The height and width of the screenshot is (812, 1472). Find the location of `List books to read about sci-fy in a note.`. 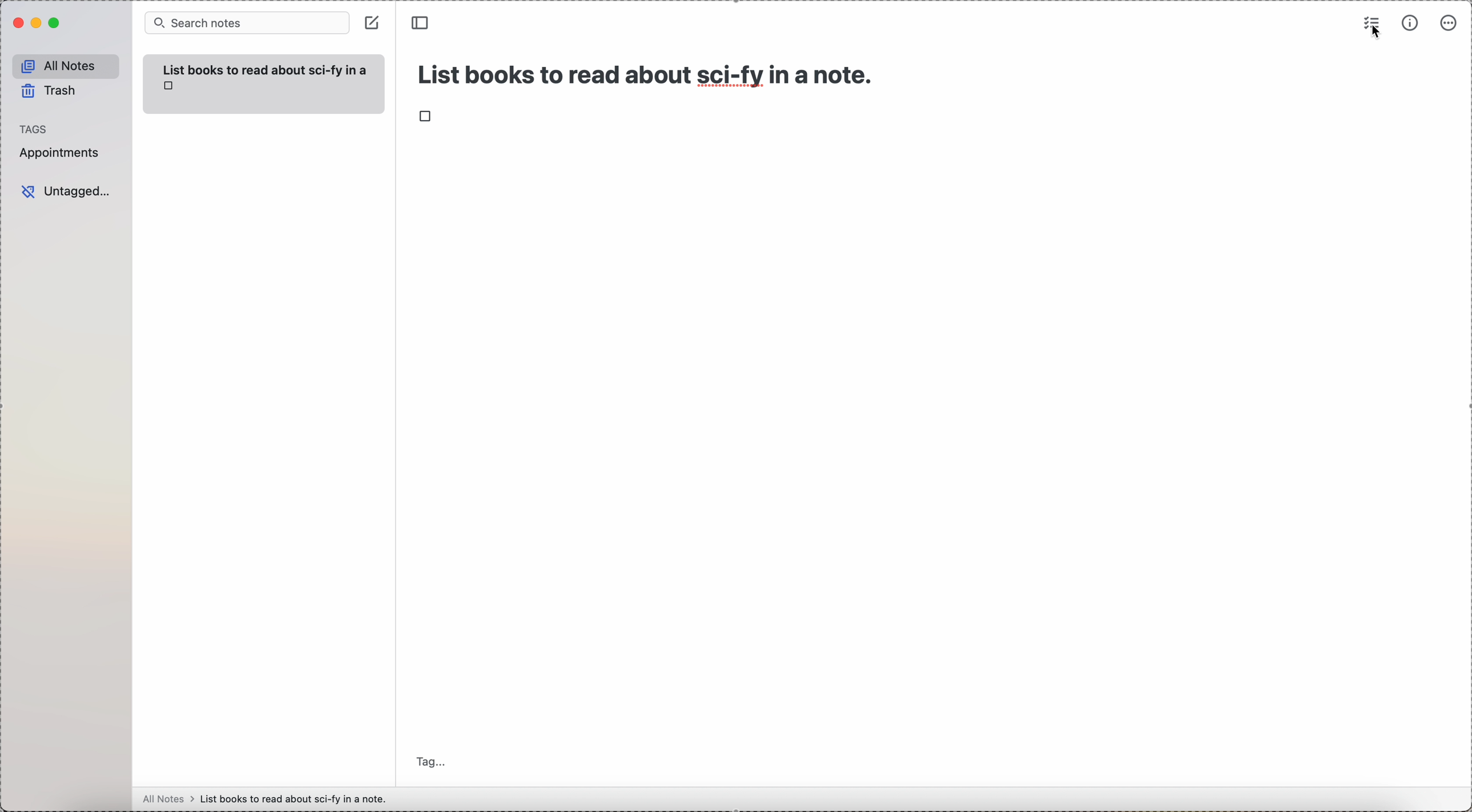

List books to read about sci-fy in a note. is located at coordinates (270, 67).